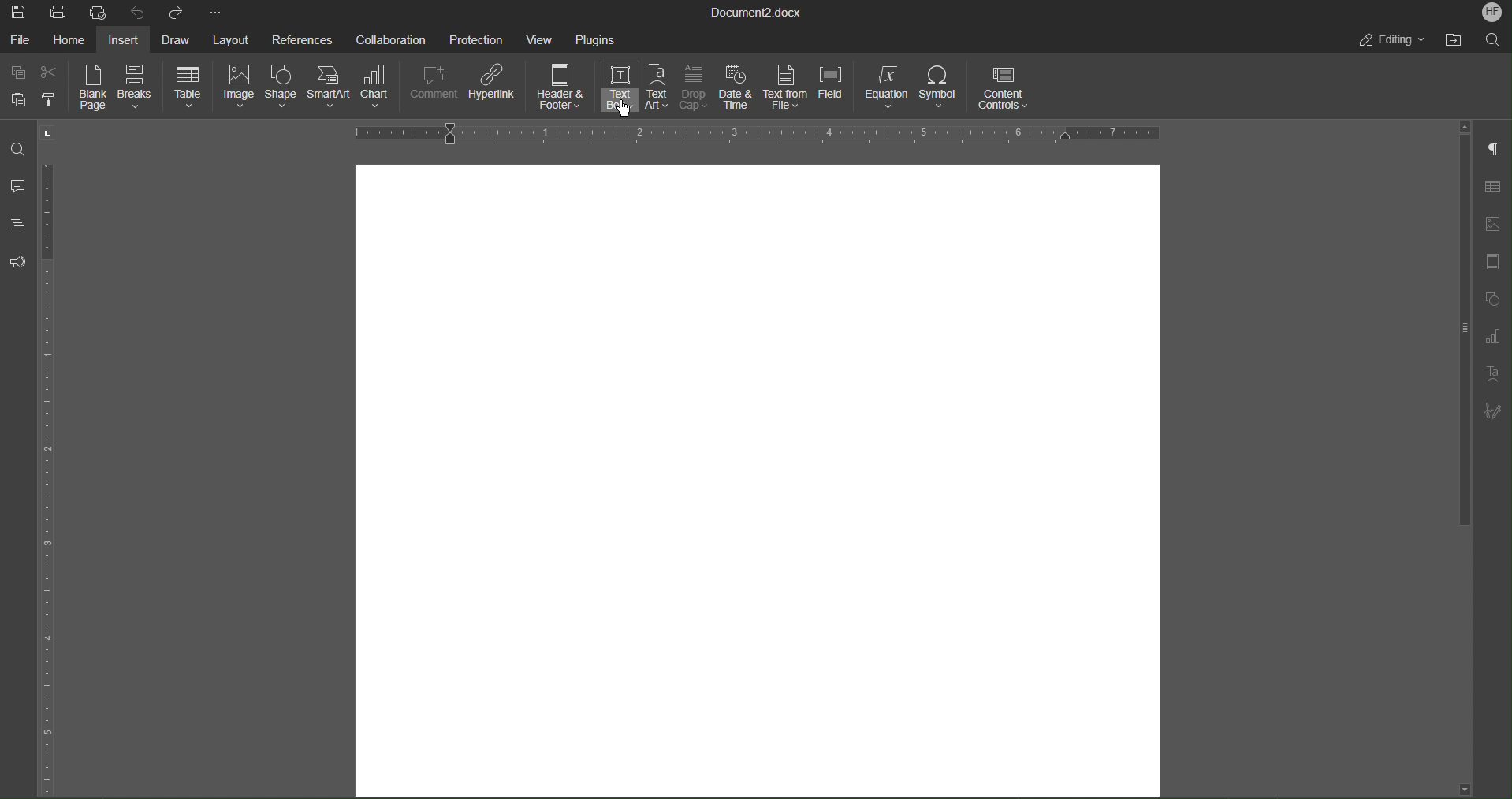 This screenshot has width=1512, height=799. I want to click on Breaks, so click(138, 88).